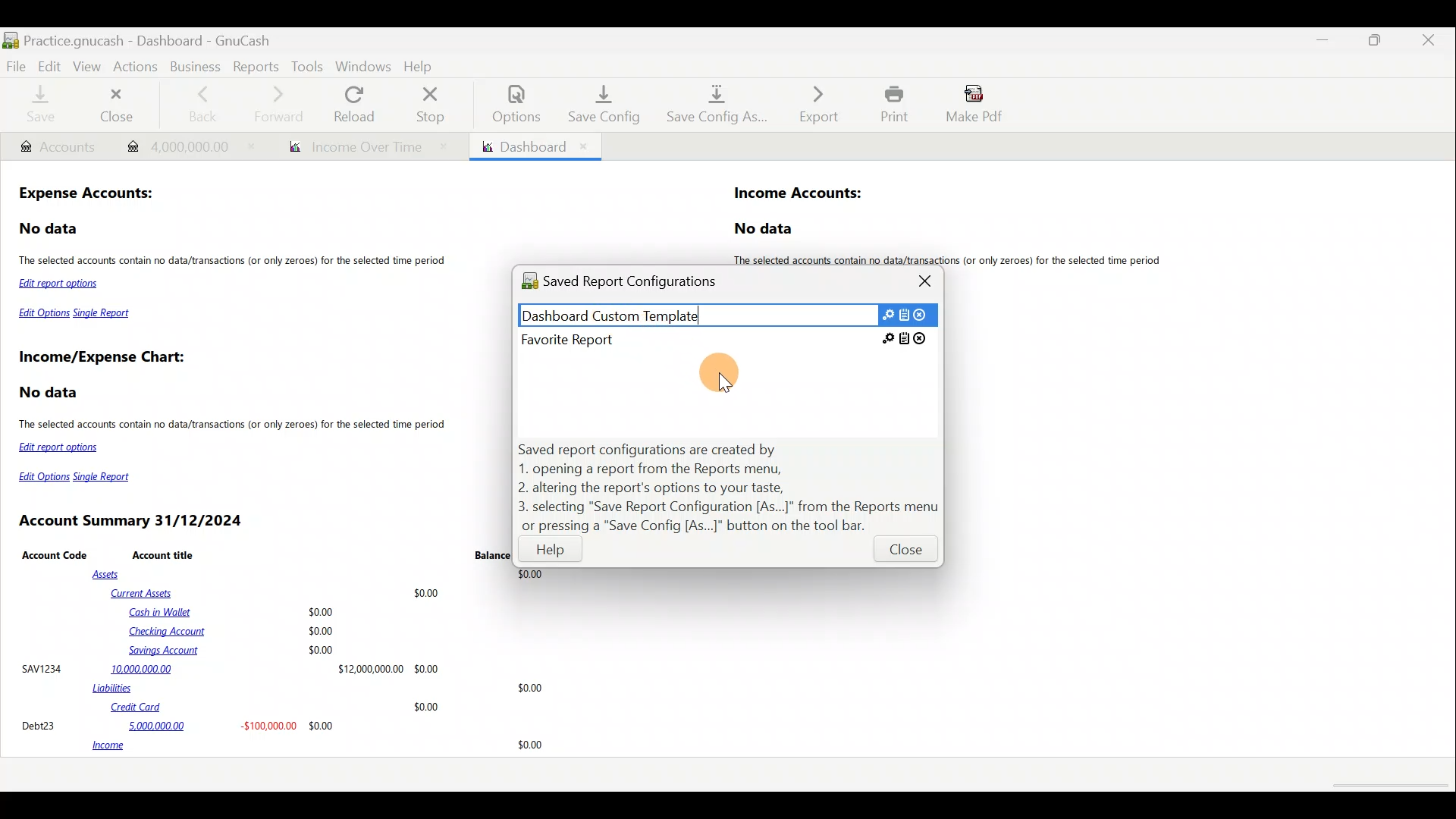 This screenshot has height=819, width=1456. Describe the element at coordinates (61, 447) in the screenshot. I see `Edit report options` at that location.